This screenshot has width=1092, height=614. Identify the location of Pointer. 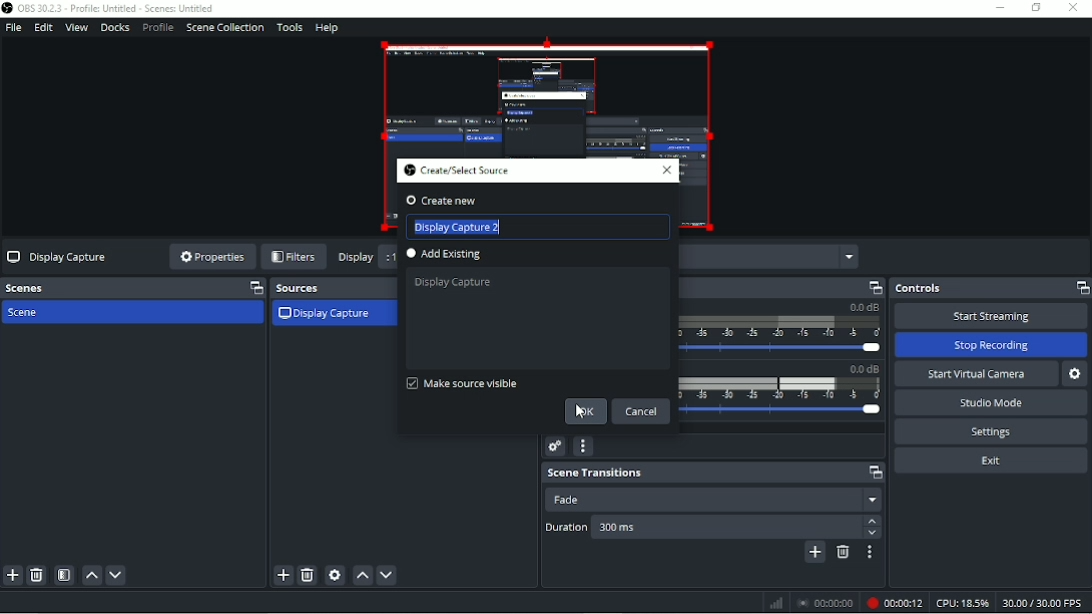
(583, 417).